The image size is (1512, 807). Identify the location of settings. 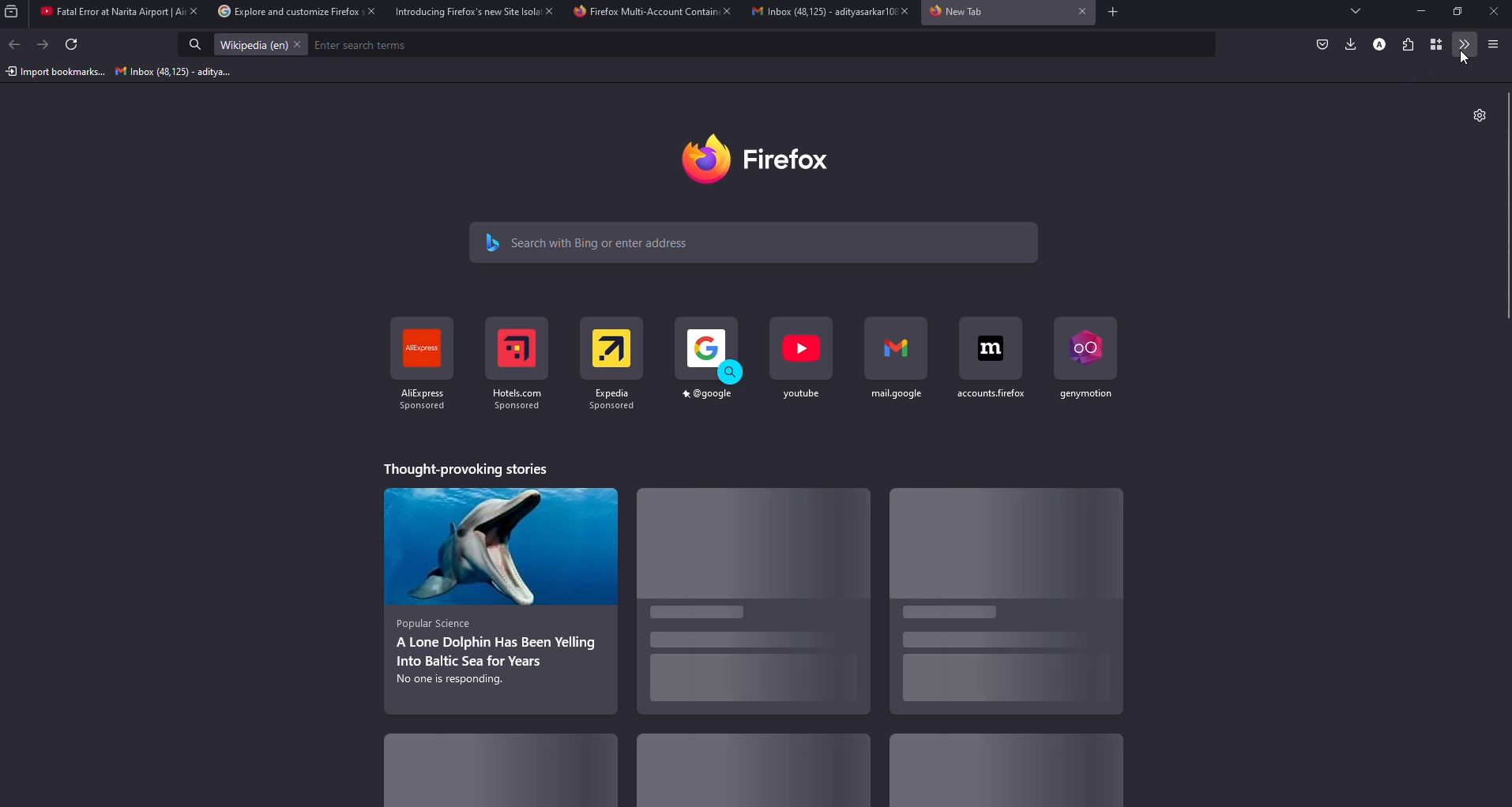
(1478, 113).